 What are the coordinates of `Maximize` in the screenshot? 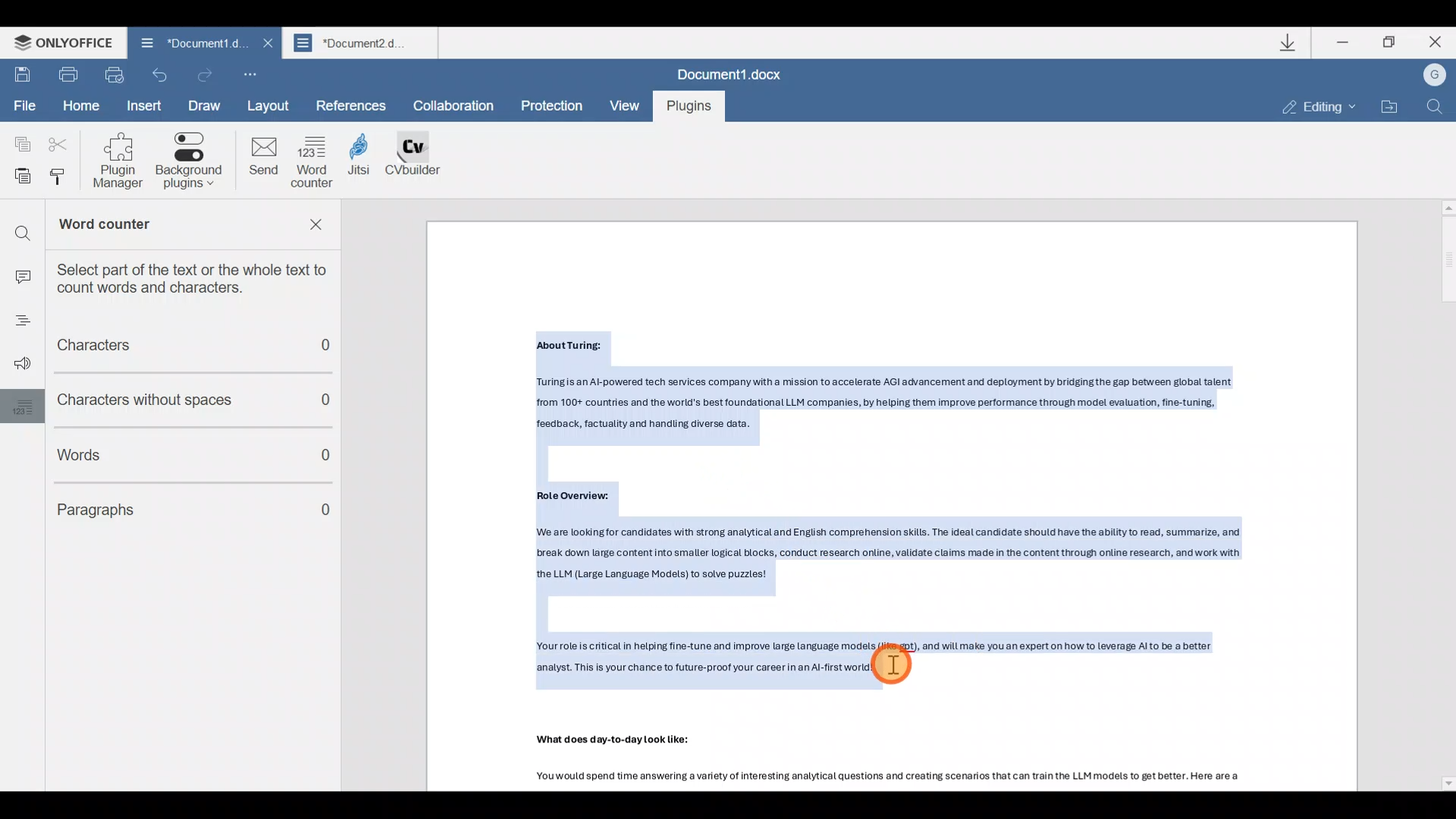 It's located at (1391, 47).